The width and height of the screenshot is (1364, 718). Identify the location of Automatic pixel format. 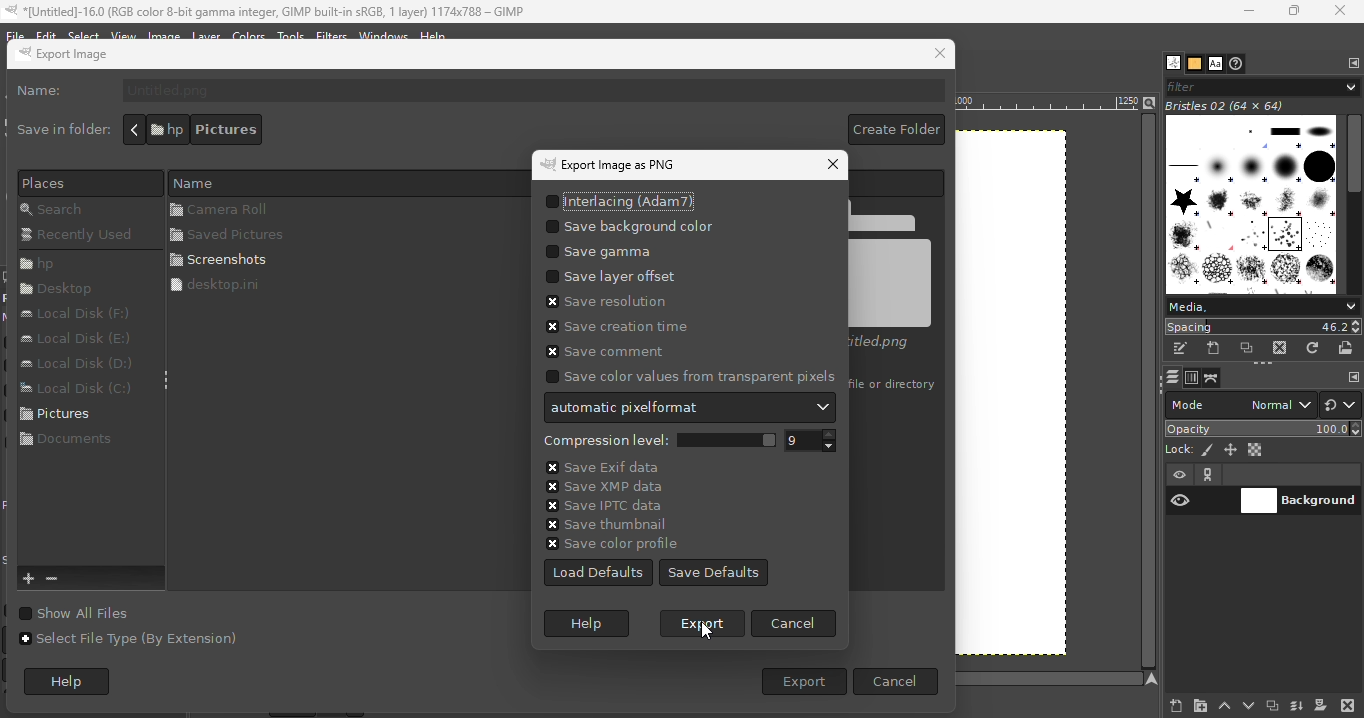
(688, 407).